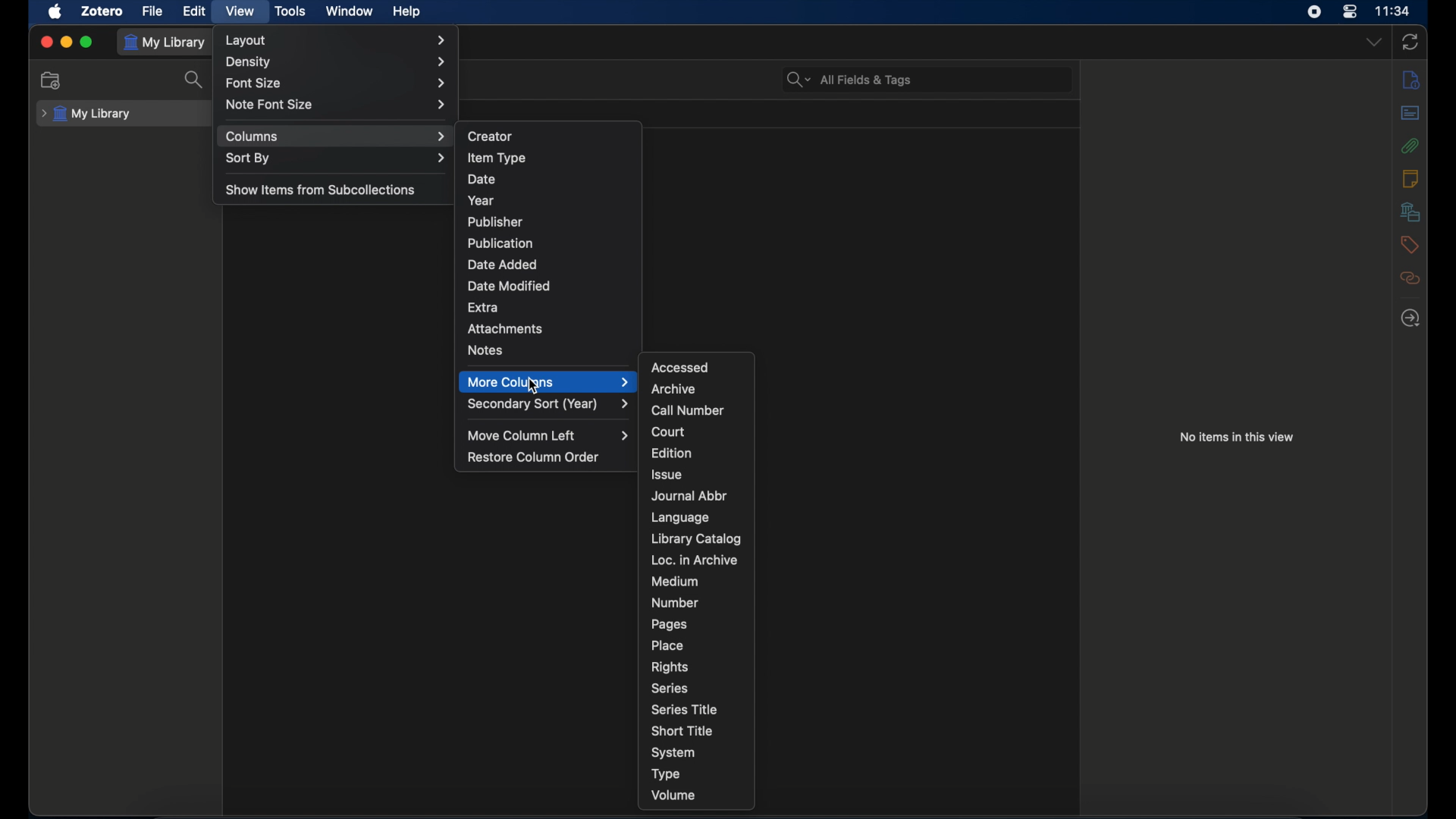  What do you see at coordinates (52, 81) in the screenshot?
I see `new collection` at bounding box center [52, 81].